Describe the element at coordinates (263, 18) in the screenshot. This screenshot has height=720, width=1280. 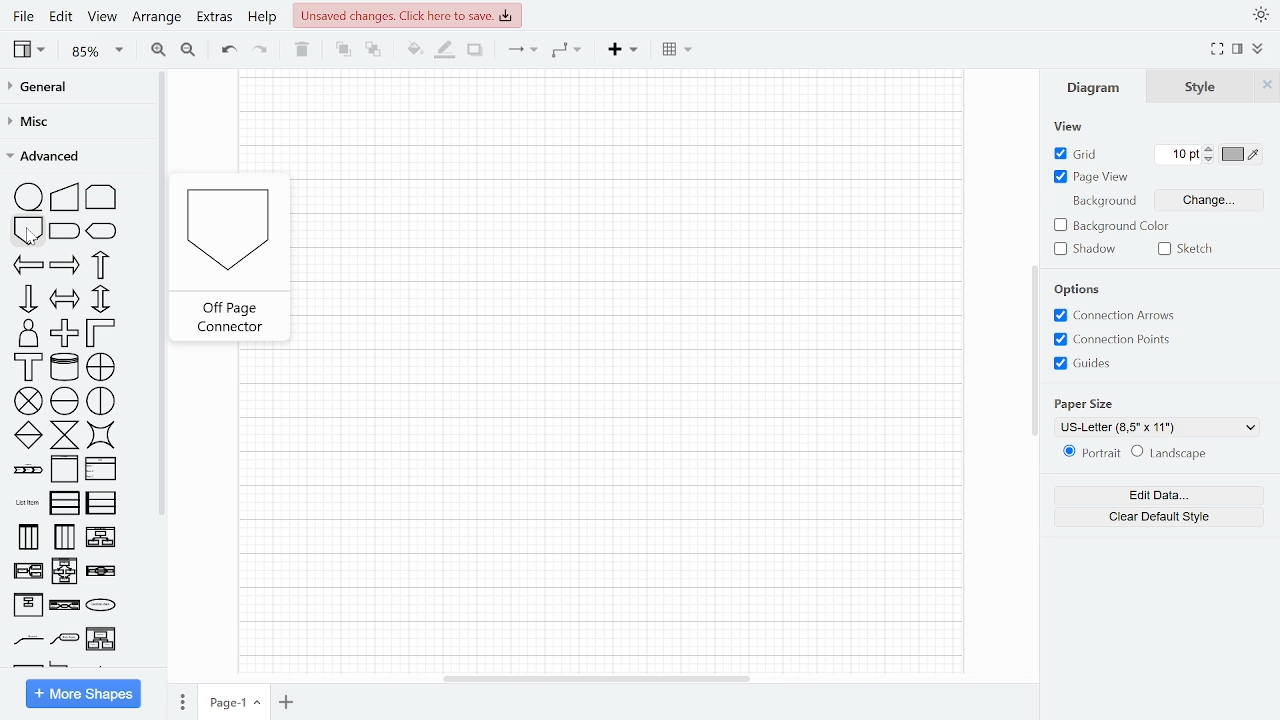
I see `Help` at that location.